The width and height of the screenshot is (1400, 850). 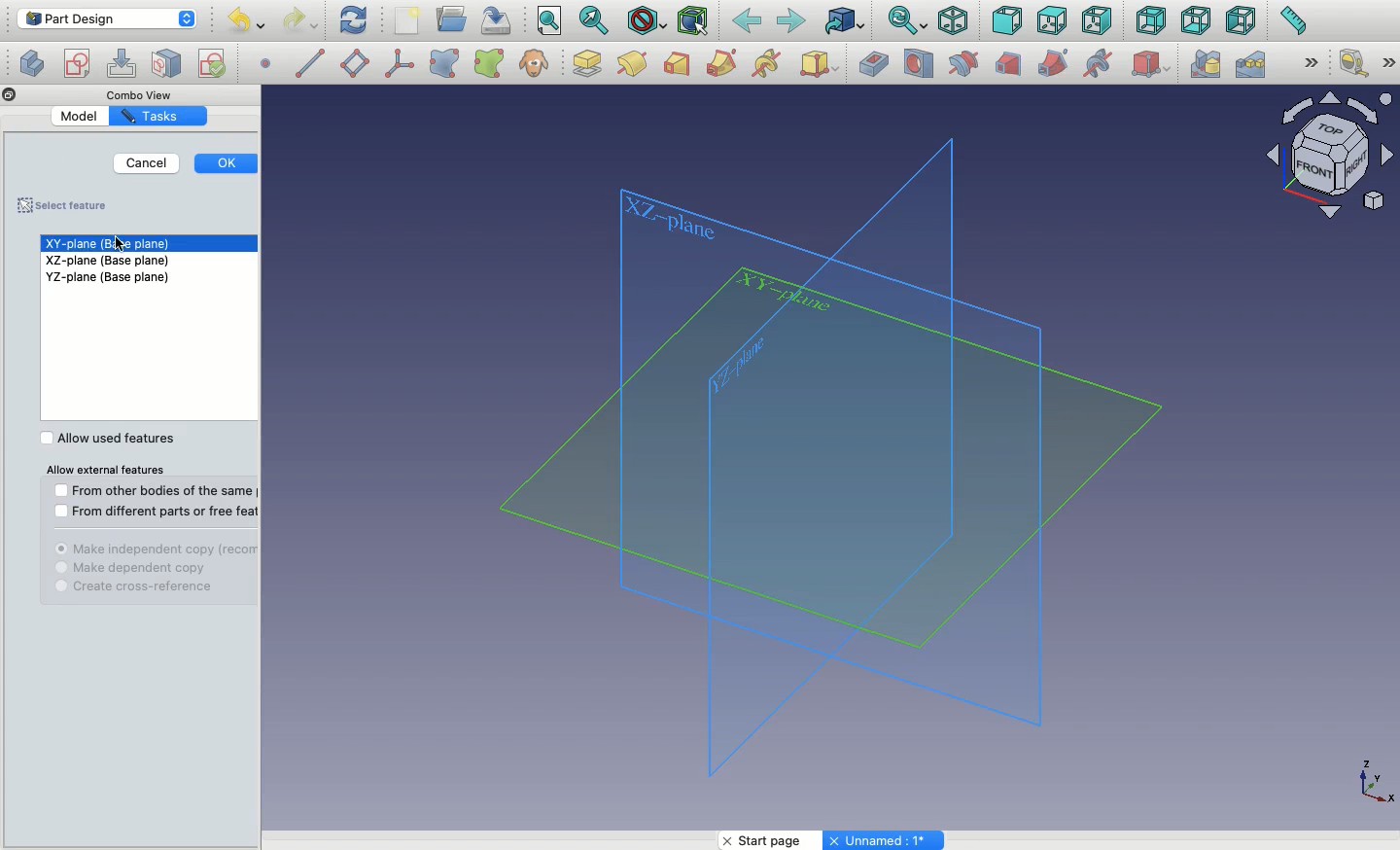 What do you see at coordinates (489, 64) in the screenshot?
I see `Sub object shape binder` at bounding box center [489, 64].